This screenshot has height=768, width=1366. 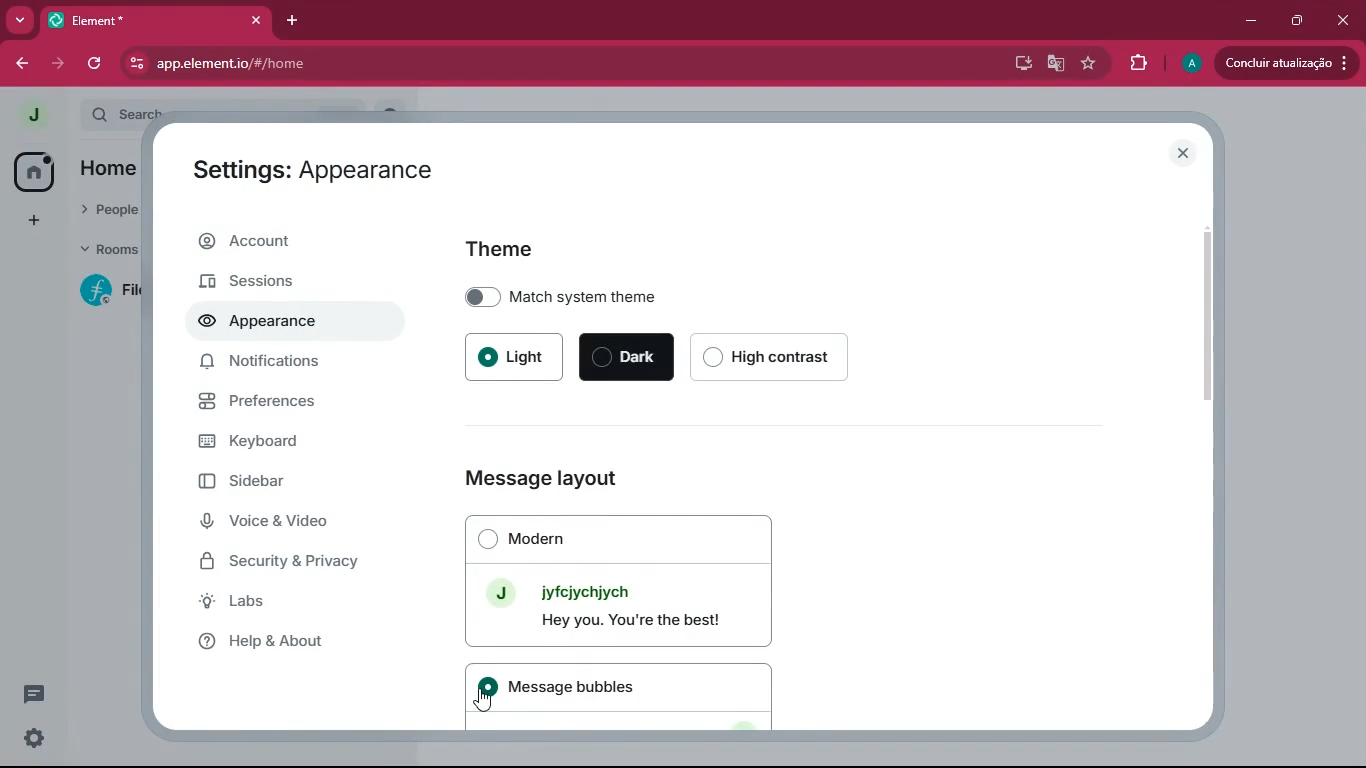 I want to click on Cursor, so click(x=484, y=700).